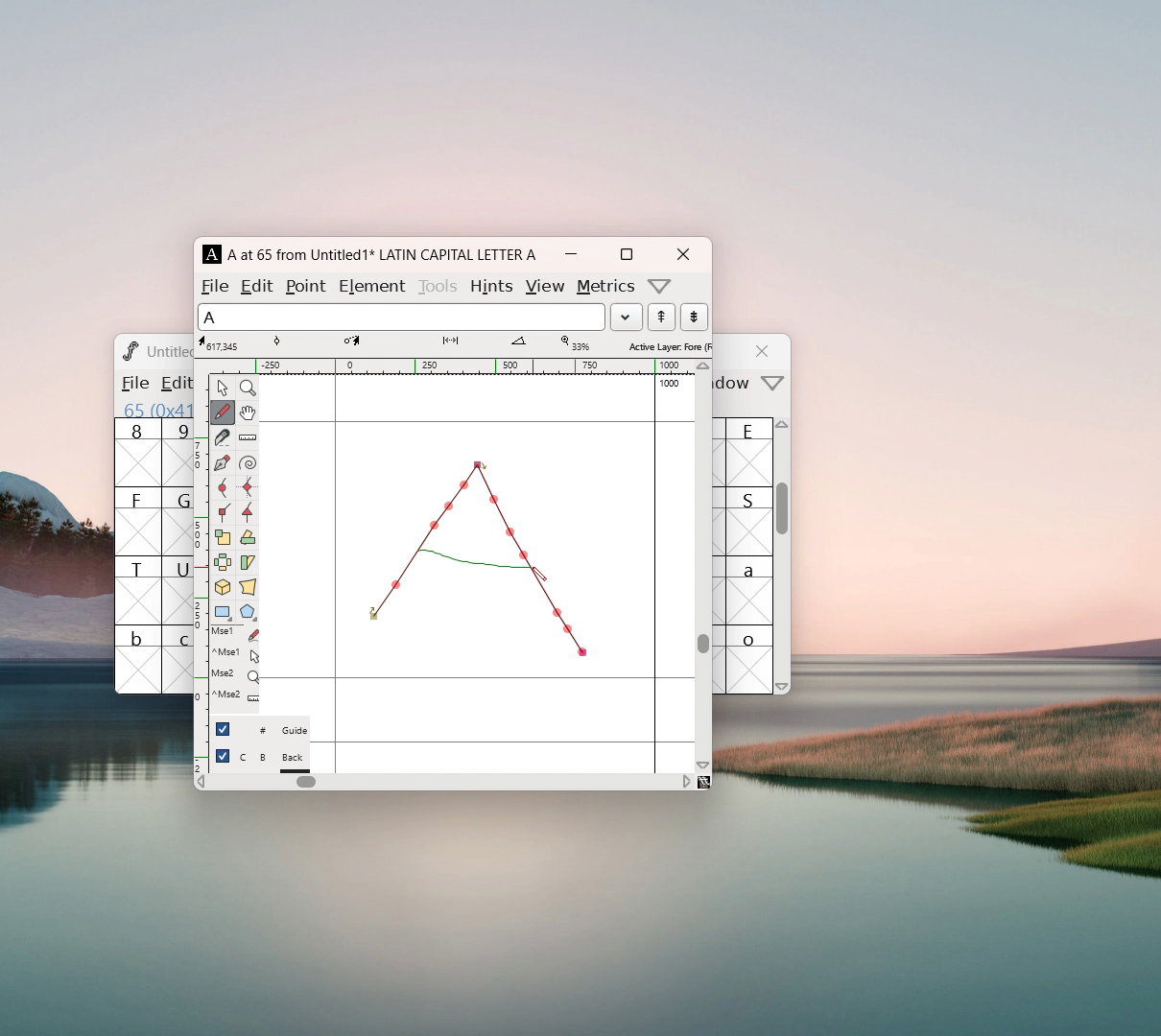 Image resolution: width=1161 pixels, height=1036 pixels. What do you see at coordinates (667, 345) in the screenshot?
I see `selected layer` at bounding box center [667, 345].